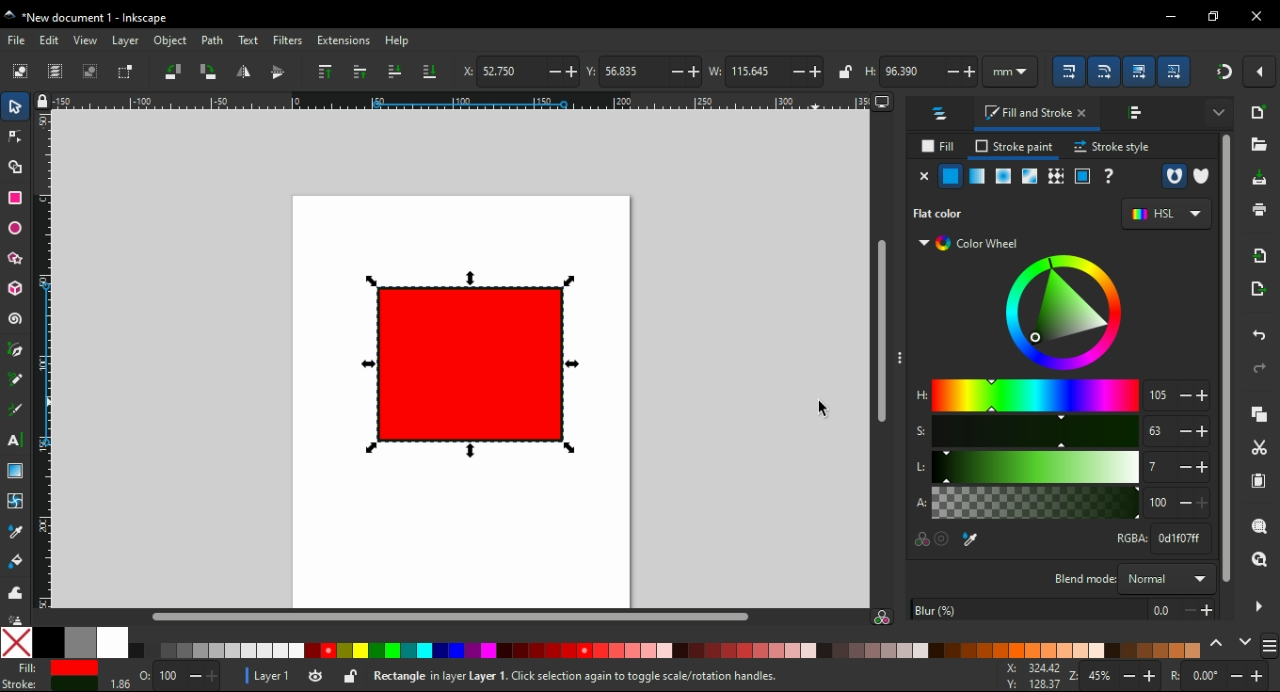 This screenshot has height=692, width=1280. I want to click on fill stroke, so click(1037, 115).